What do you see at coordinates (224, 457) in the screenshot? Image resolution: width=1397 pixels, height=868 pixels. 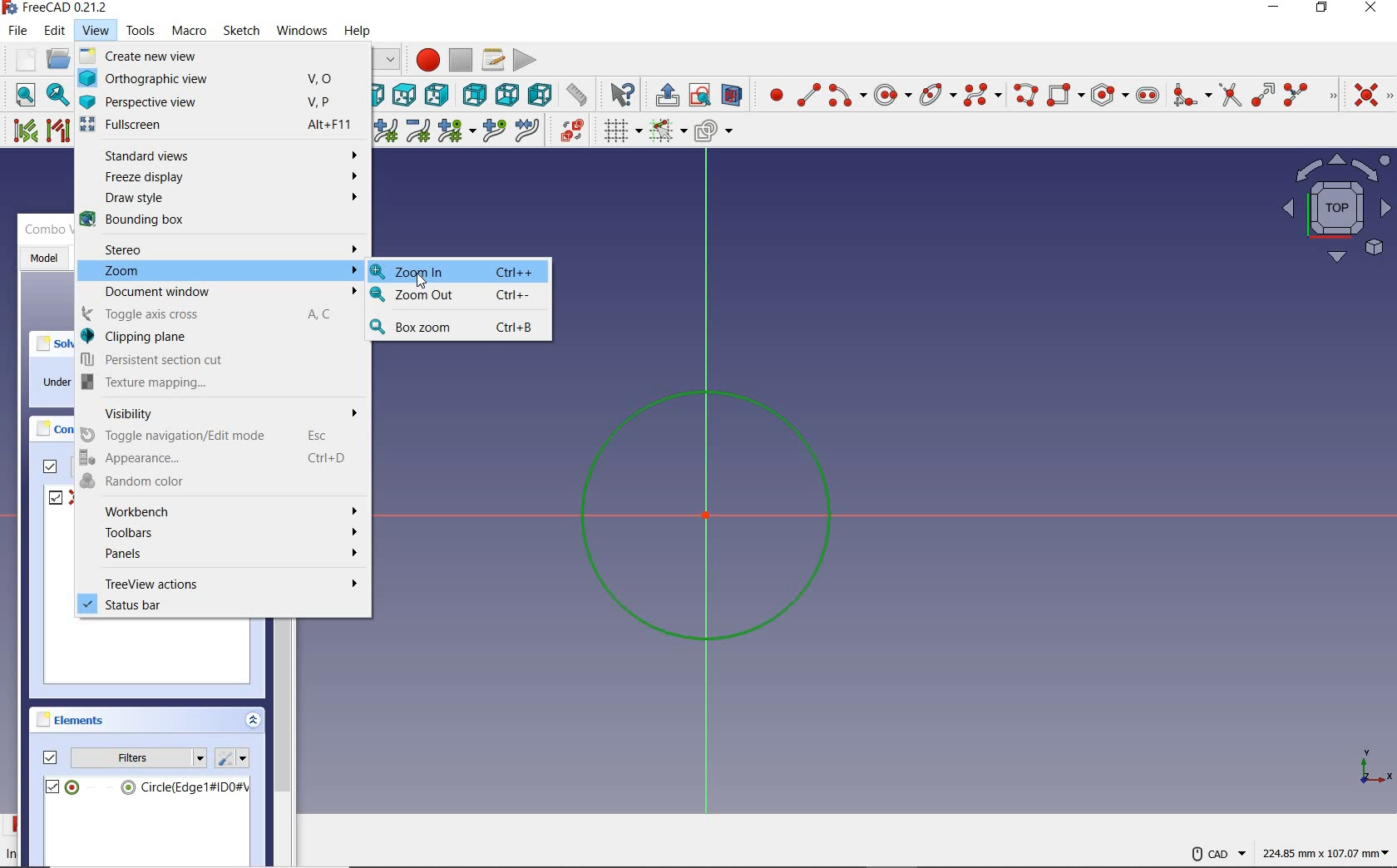 I see `Appearance` at bounding box center [224, 457].